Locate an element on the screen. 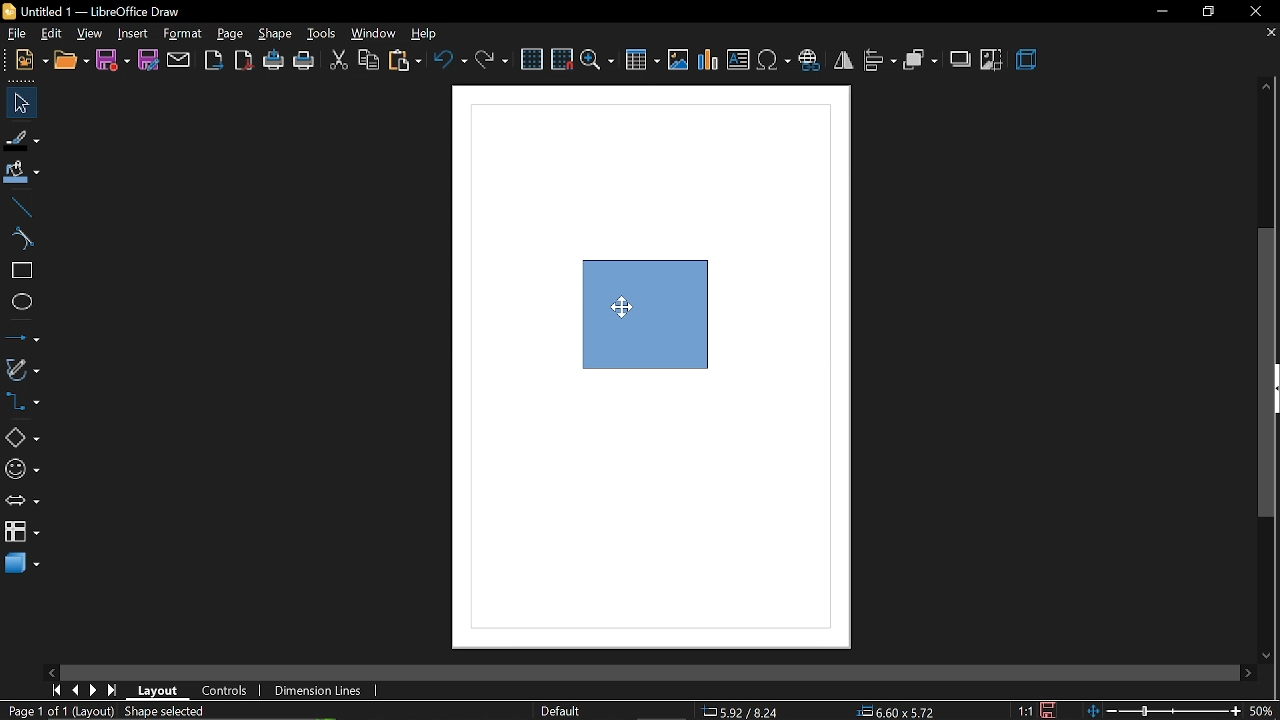 This screenshot has height=720, width=1280. arrows is located at coordinates (22, 503).